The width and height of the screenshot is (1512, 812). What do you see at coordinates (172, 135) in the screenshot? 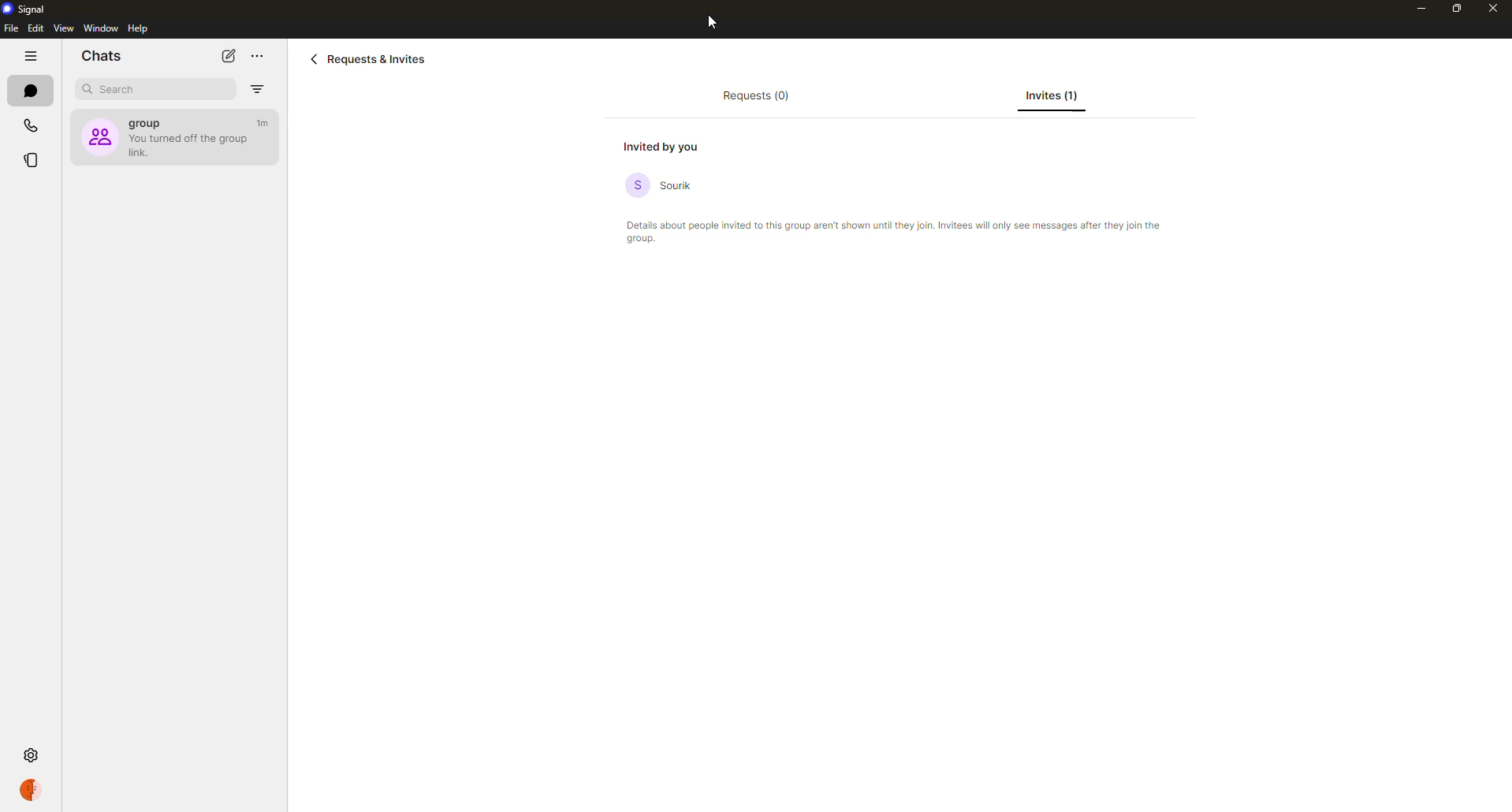
I see `group` at bounding box center [172, 135].